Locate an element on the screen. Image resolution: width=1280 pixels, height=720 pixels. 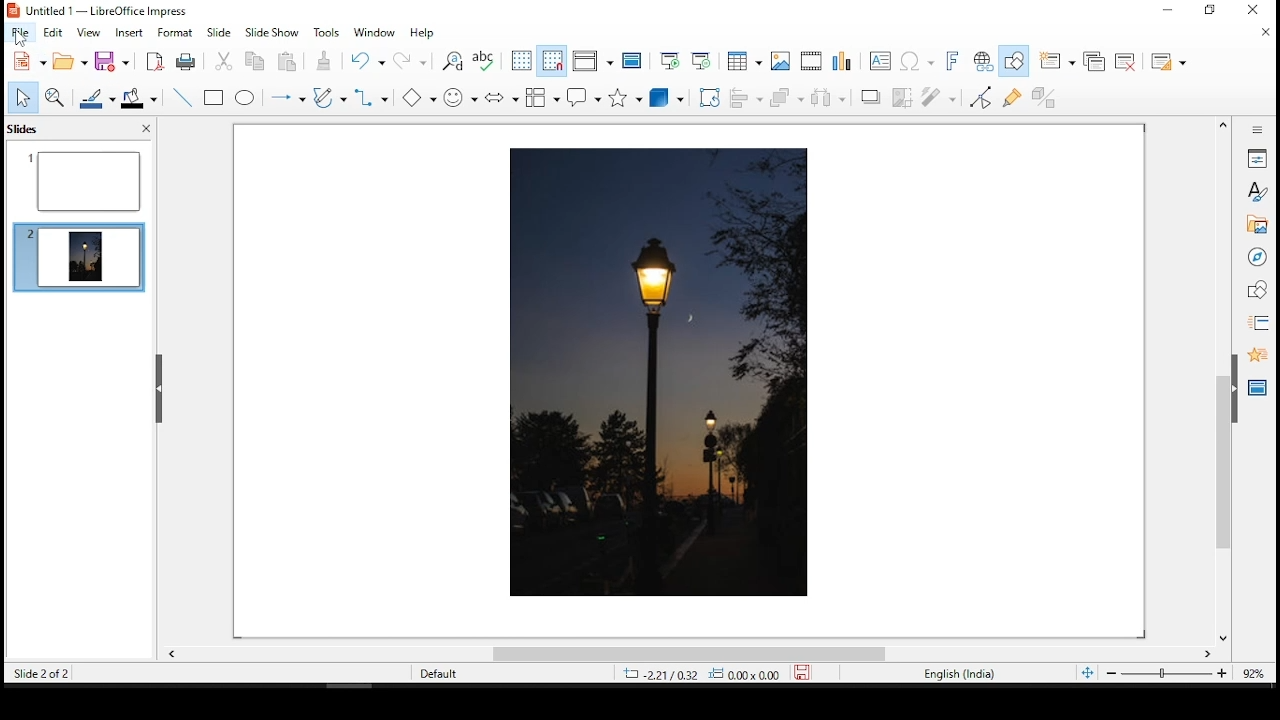
show grid is located at coordinates (520, 60).